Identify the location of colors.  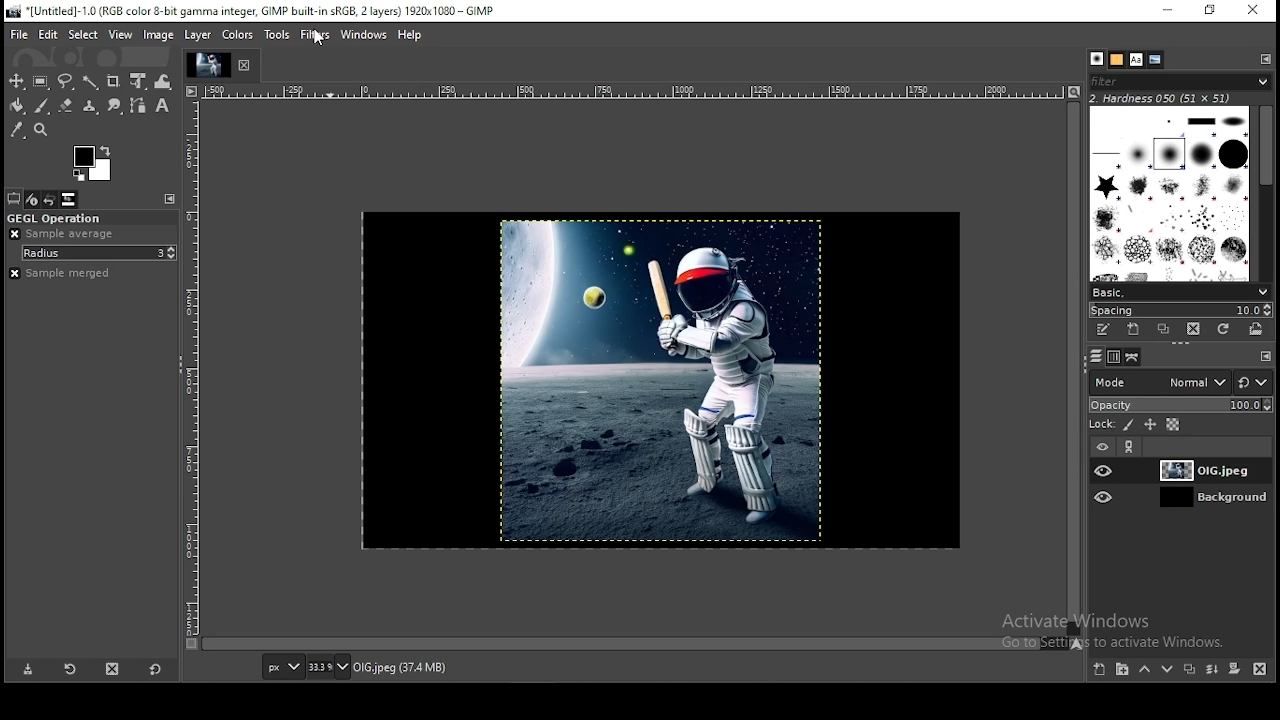
(94, 162).